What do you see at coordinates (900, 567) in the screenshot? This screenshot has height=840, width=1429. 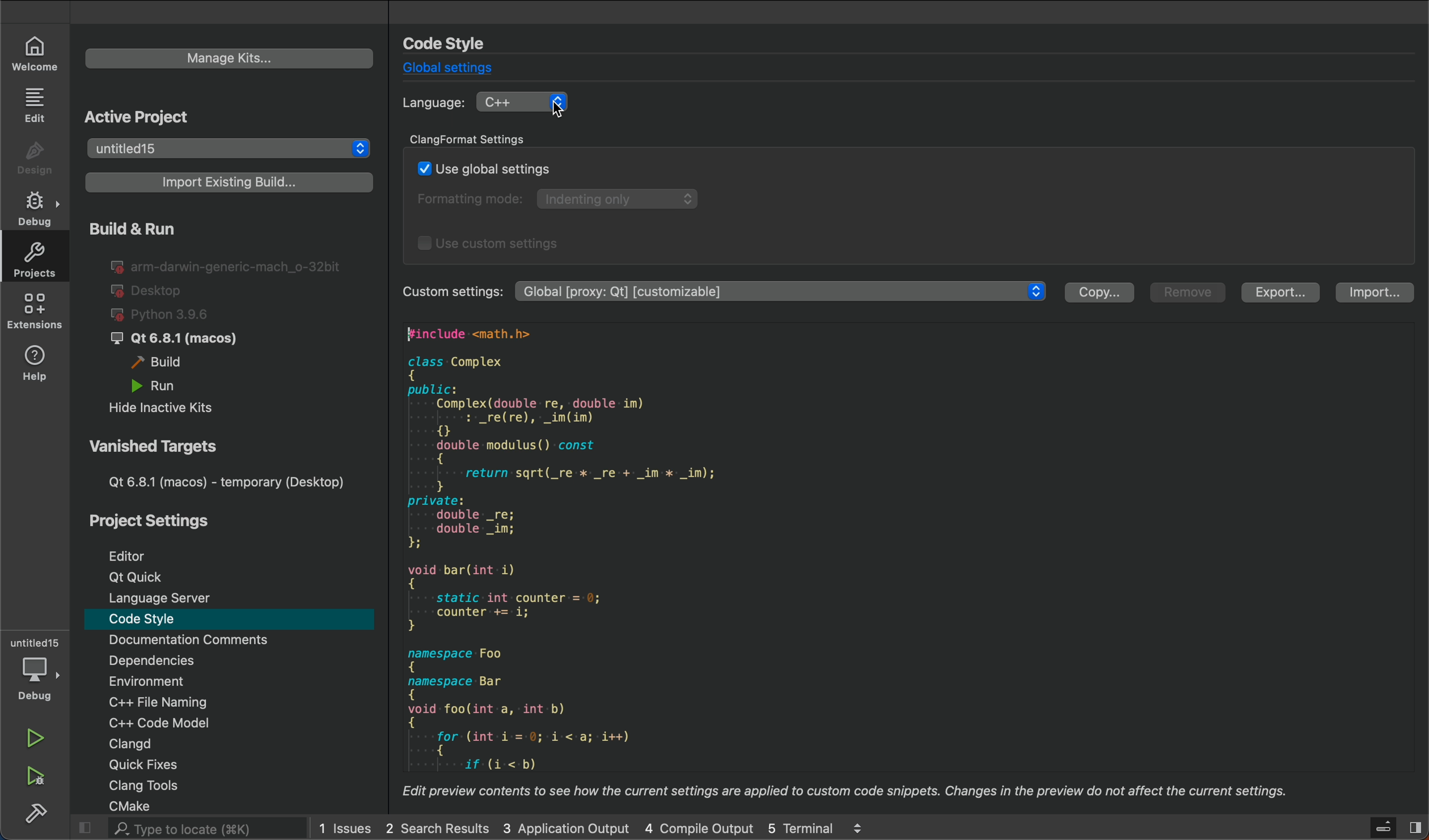 I see `code in selected language` at bounding box center [900, 567].